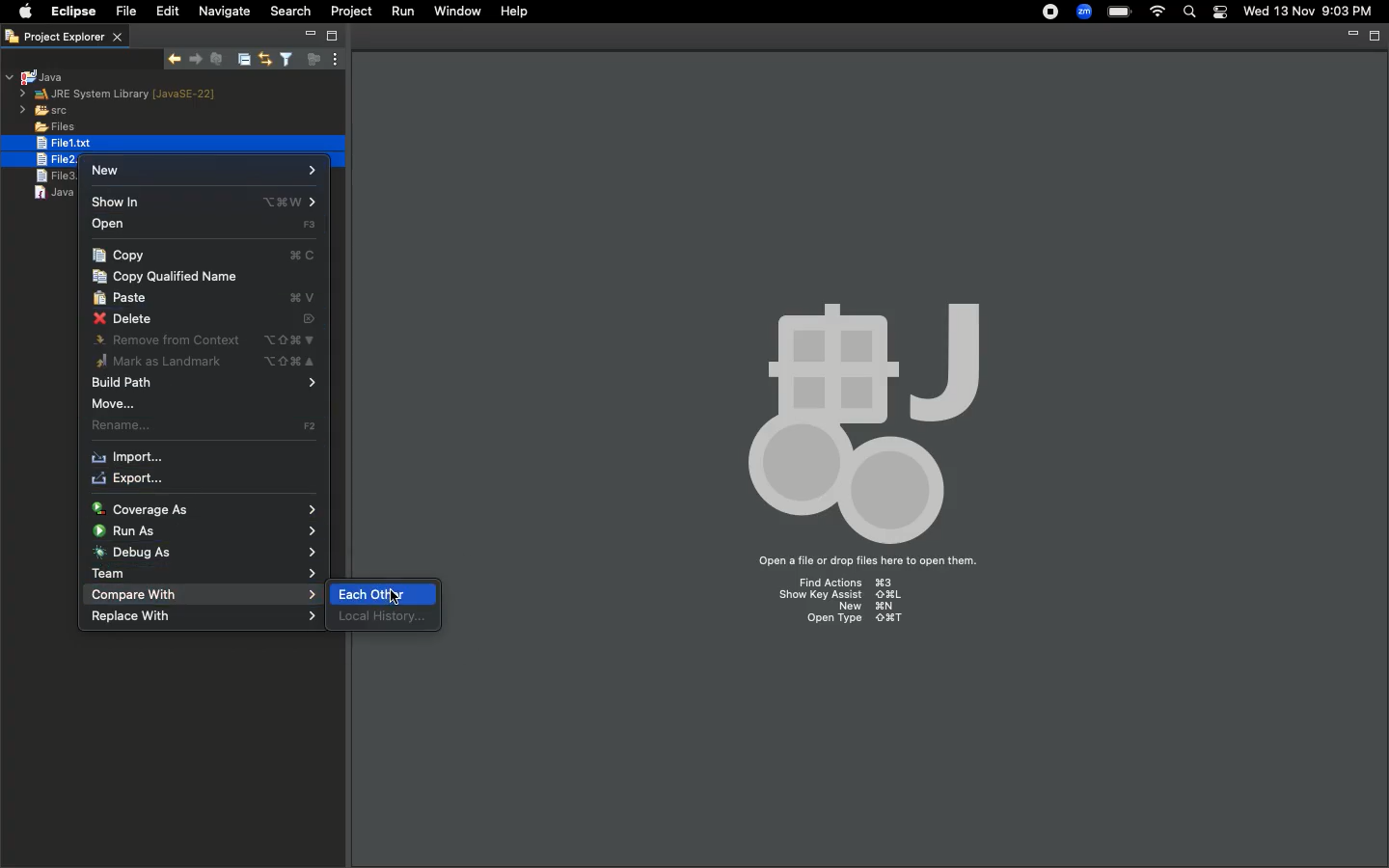  Describe the element at coordinates (331, 36) in the screenshot. I see `Maximize` at that location.